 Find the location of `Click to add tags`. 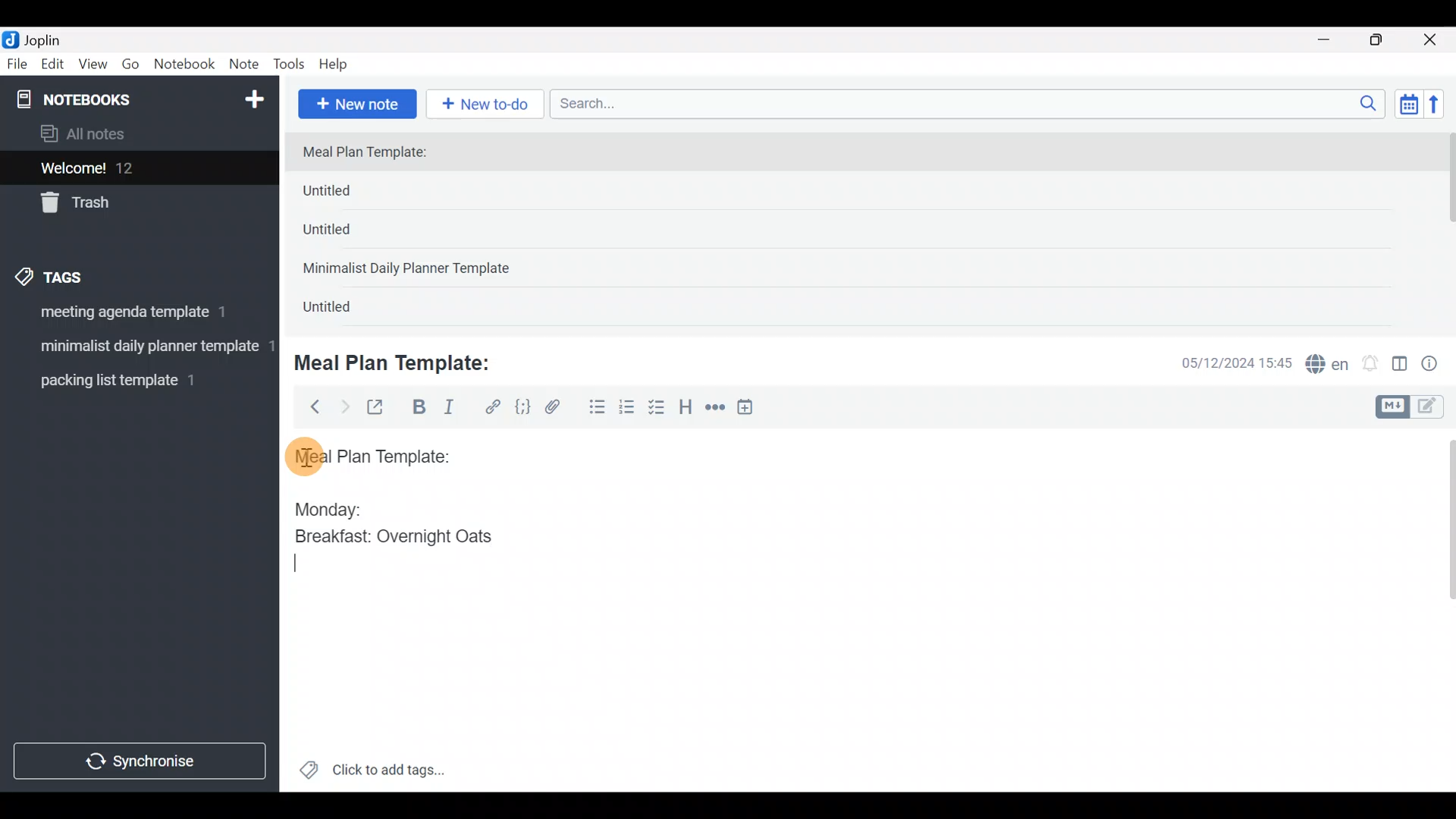

Click to add tags is located at coordinates (372, 775).